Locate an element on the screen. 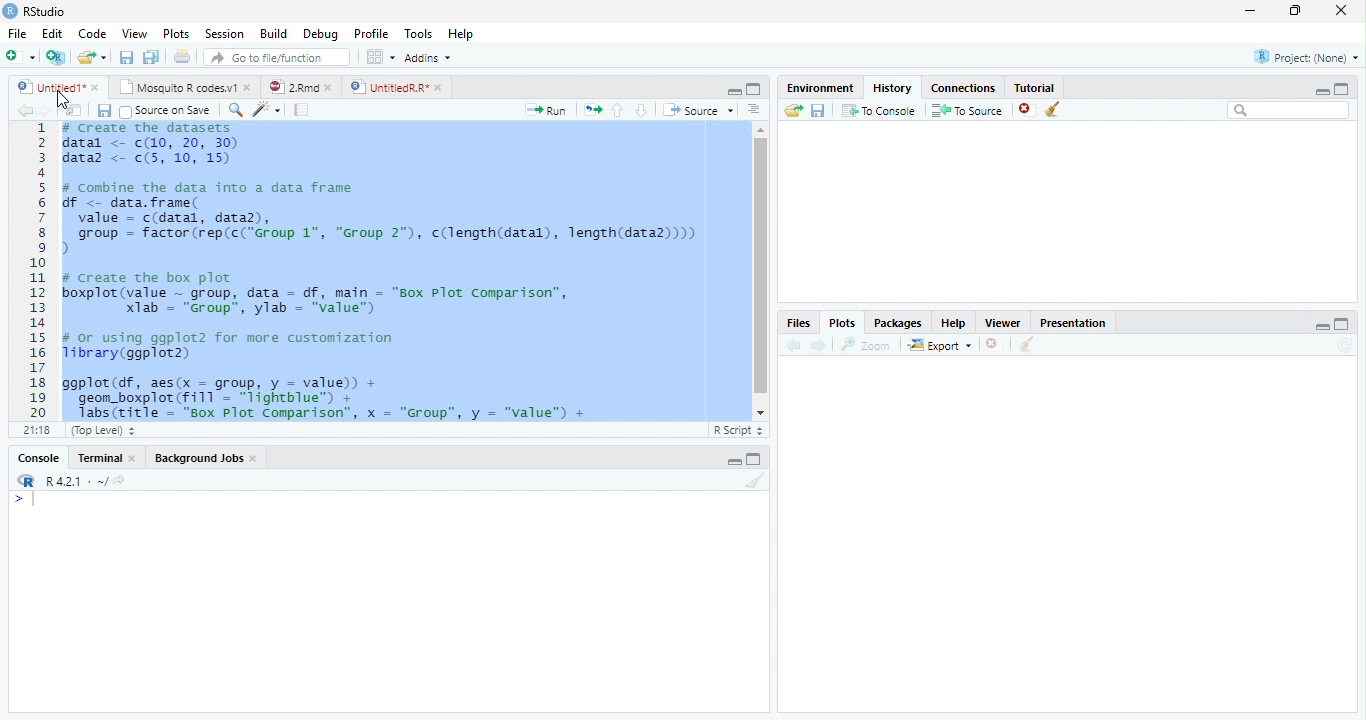 This screenshot has height=720, width=1366. Clear all plots is located at coordinates (1027, 344).